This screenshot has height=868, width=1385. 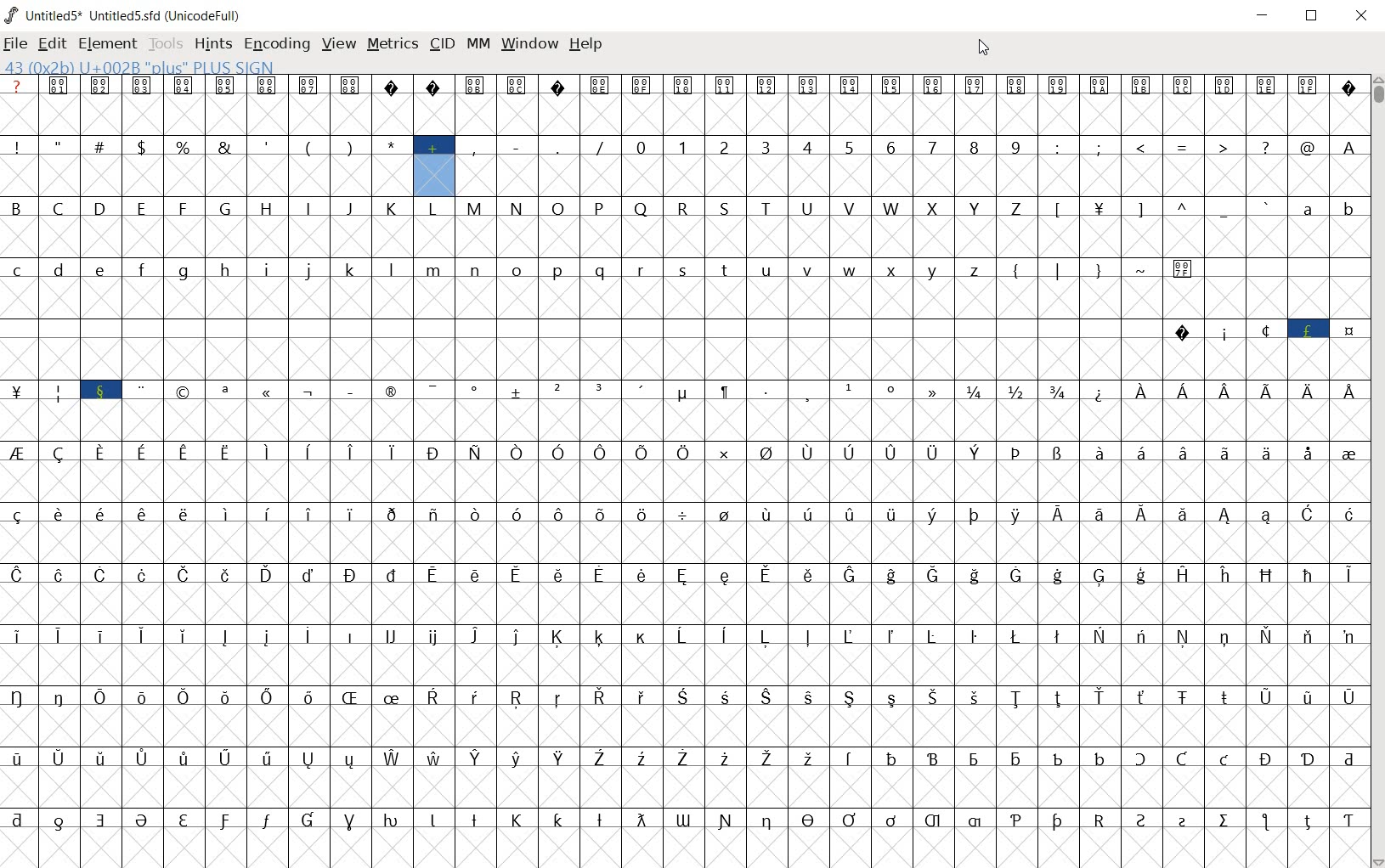 I want to click on minimize, so click(x=1263, y=15).